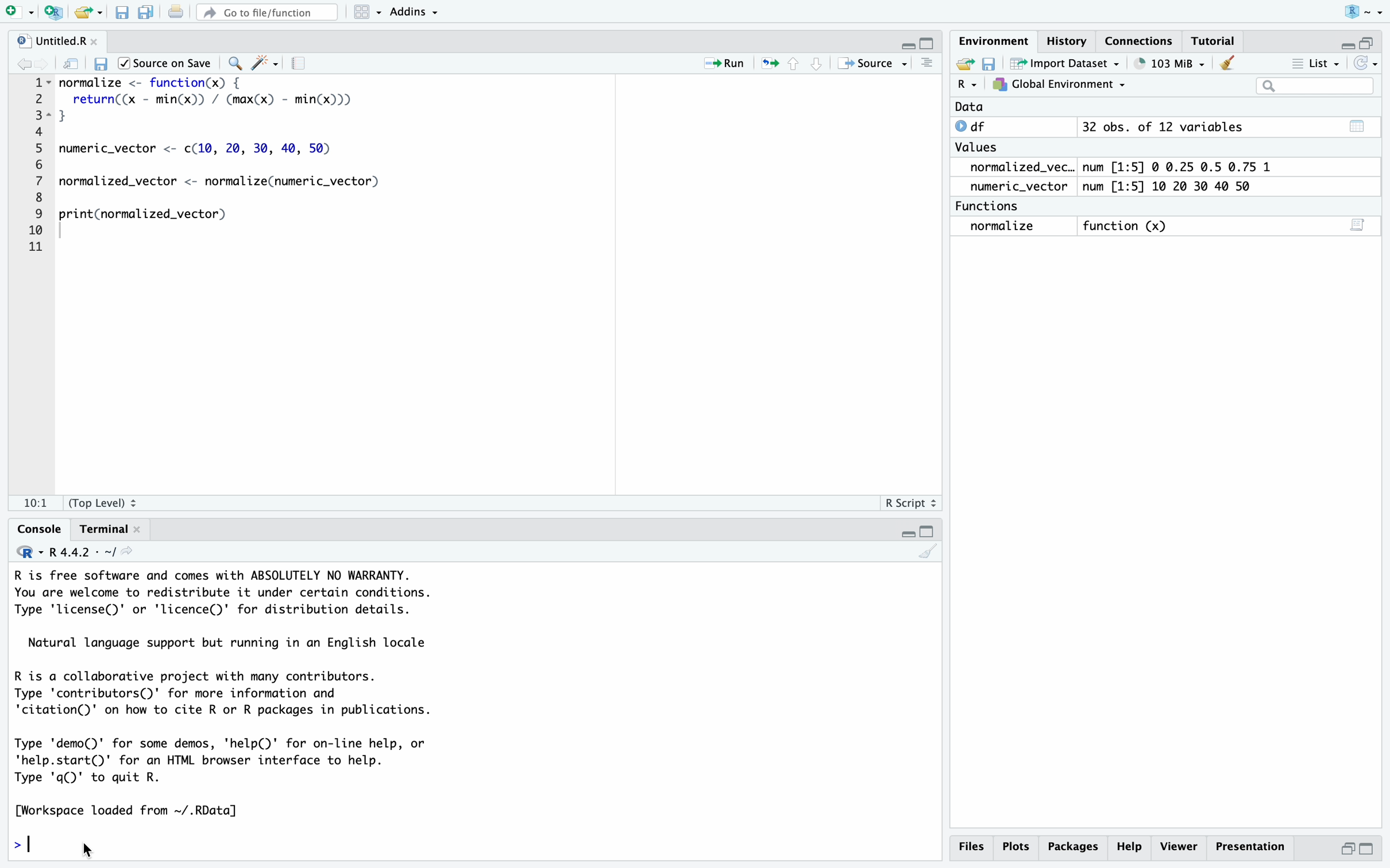 Image resolution: width=1390 pixels, height=868 pixels. What do you see at coordinates (136, 555) in the screenshot?
I see `View the current working directory` at bounding box center [136, 555].